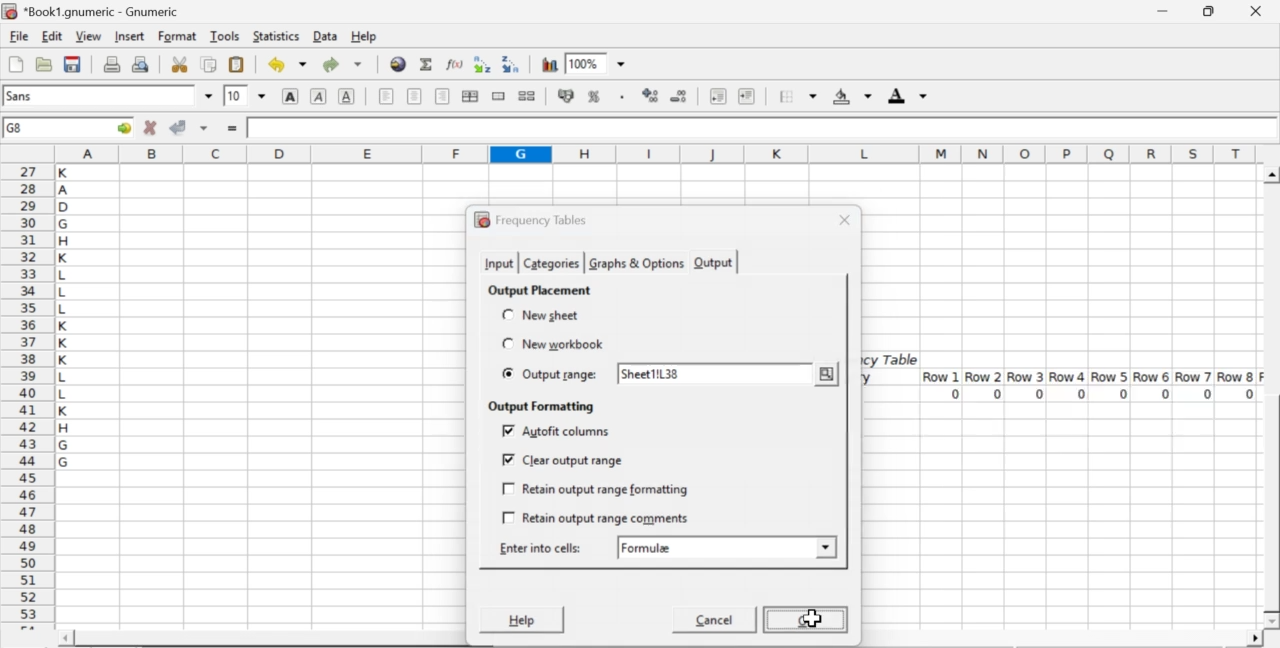  What do you see at coordinates (542, 314) in the screenshot?
I see `new sheet` at bounding box center [542, 314].